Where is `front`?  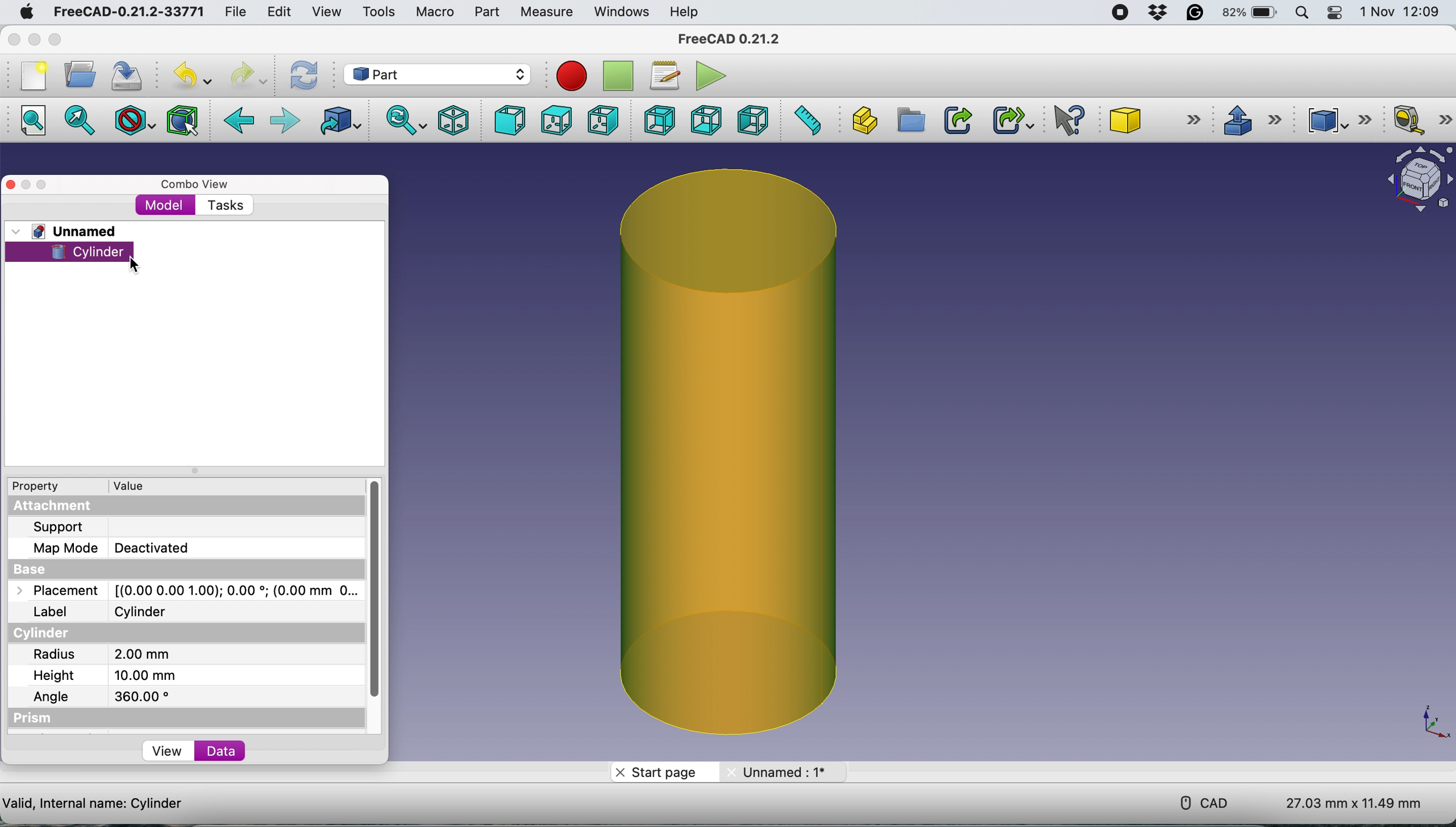
front is located at coordinates (507, 119).